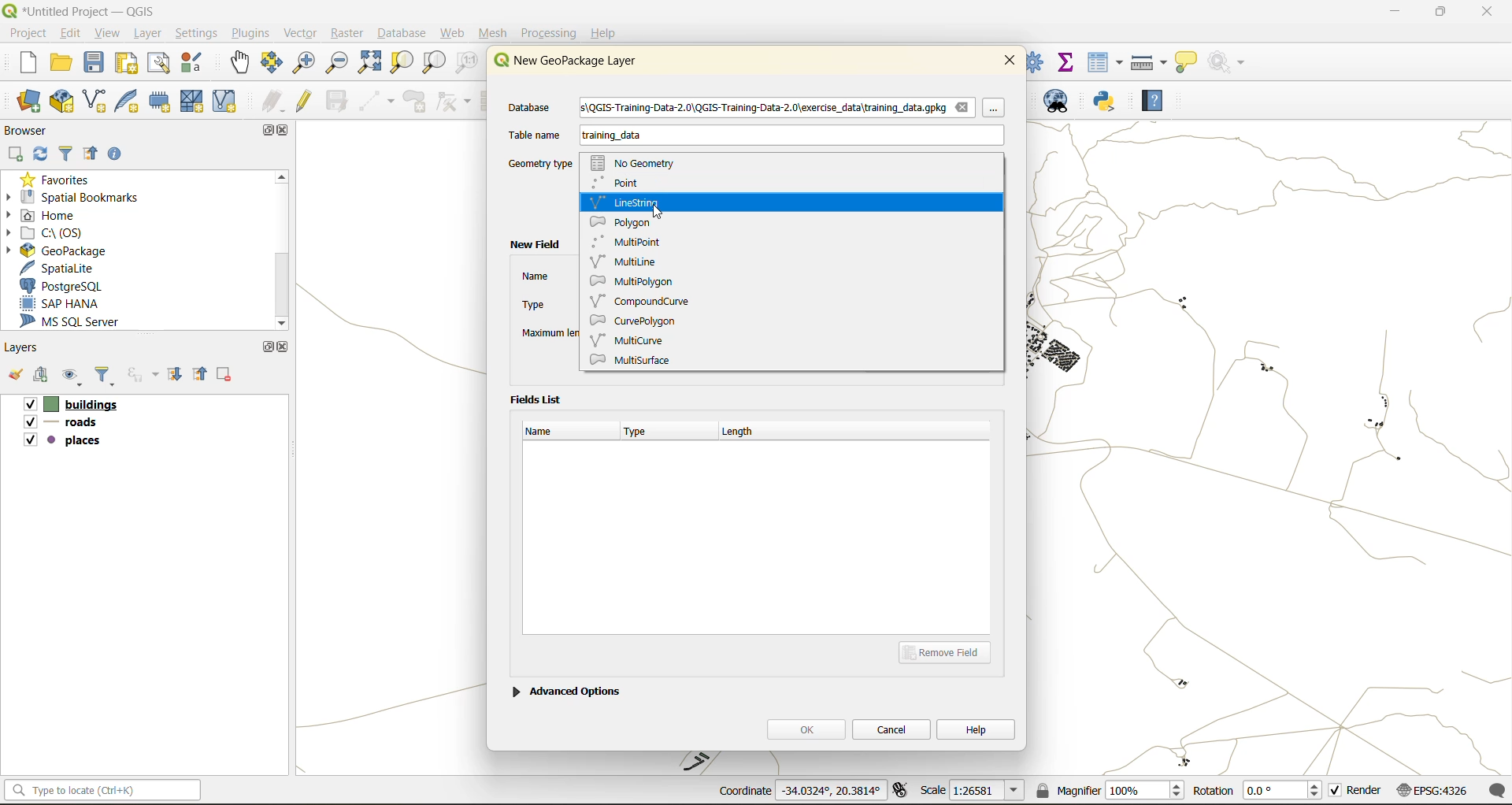  What do you see at coordinates (622, 183) in the screenshot?
I see `point` at bounding box center [622, 183].